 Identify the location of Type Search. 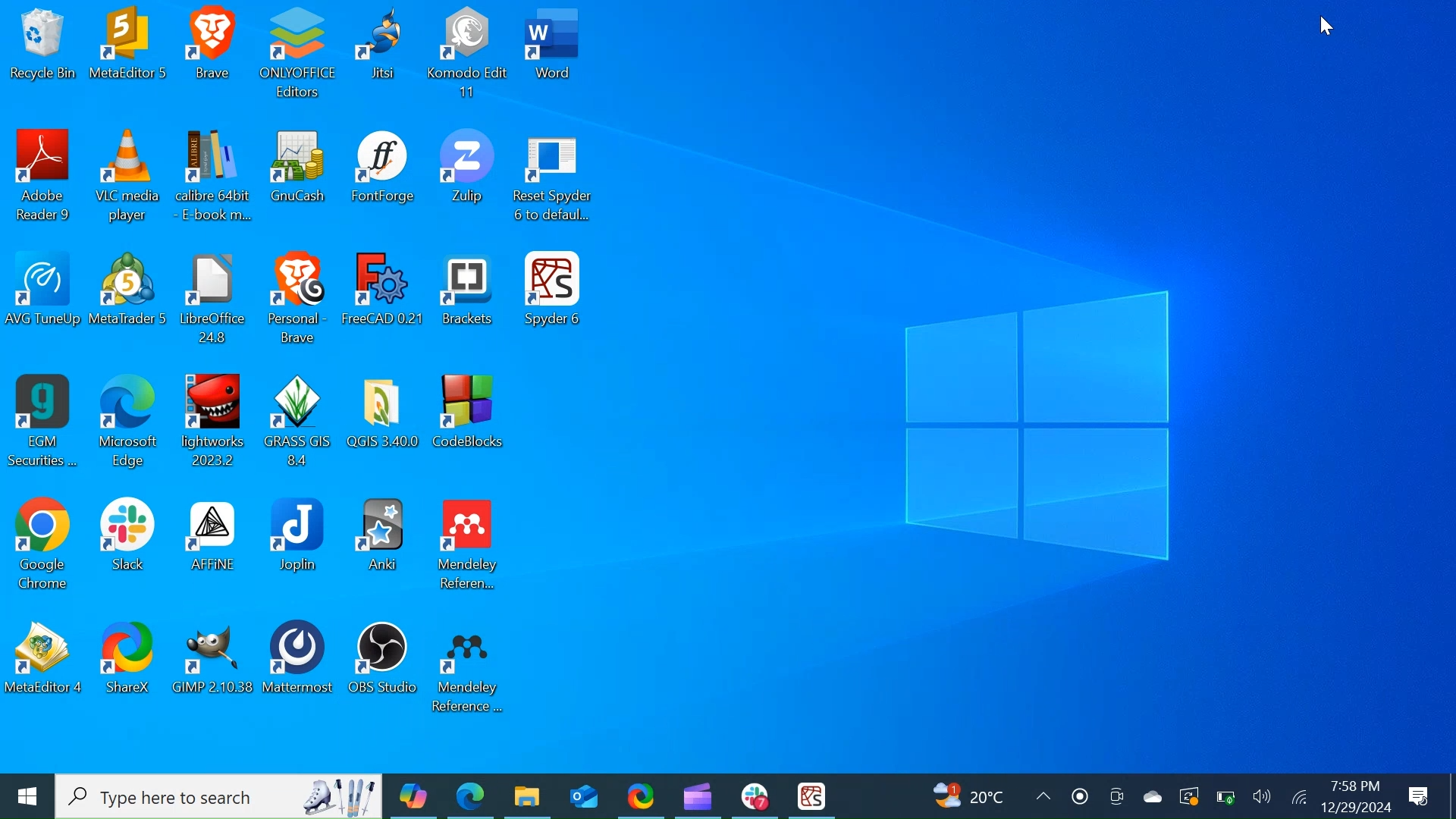
(220, 796).